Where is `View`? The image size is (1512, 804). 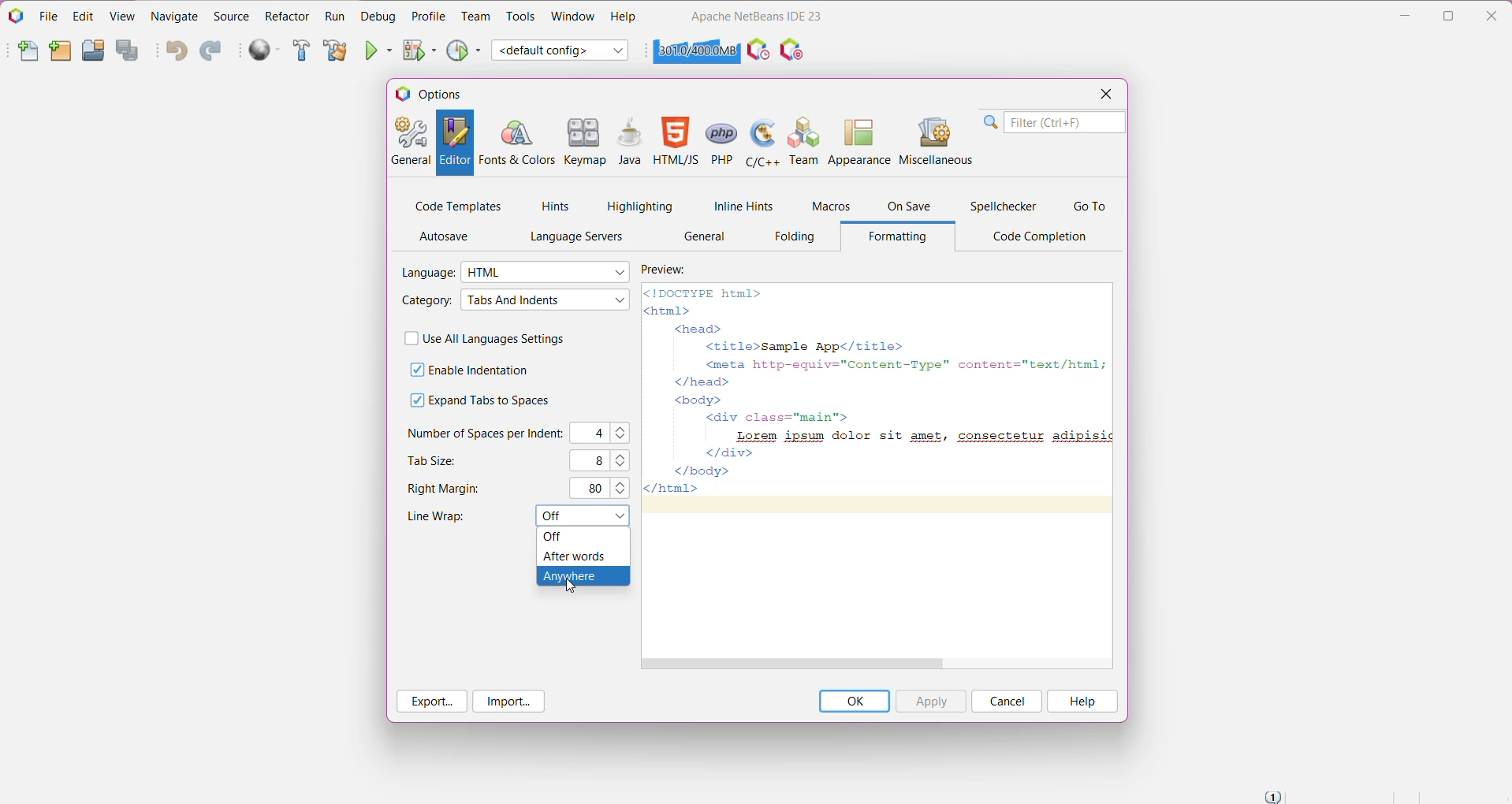
View is located at coordinates (124, 15).